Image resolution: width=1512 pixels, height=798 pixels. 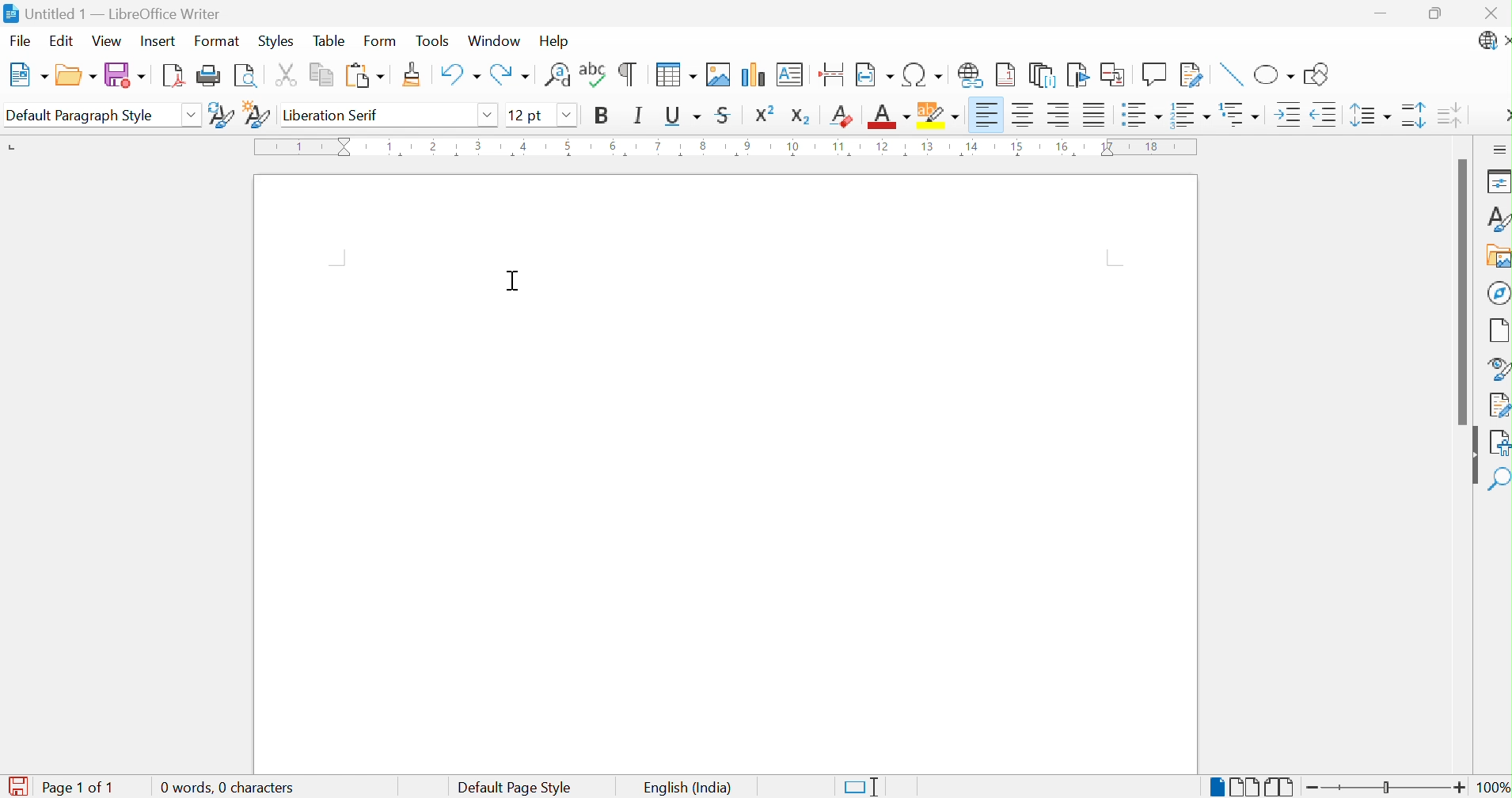 What do you see at coordinates (765, 114) in the screenshot?
I see `Superscript` at bounding box center [765, 114].